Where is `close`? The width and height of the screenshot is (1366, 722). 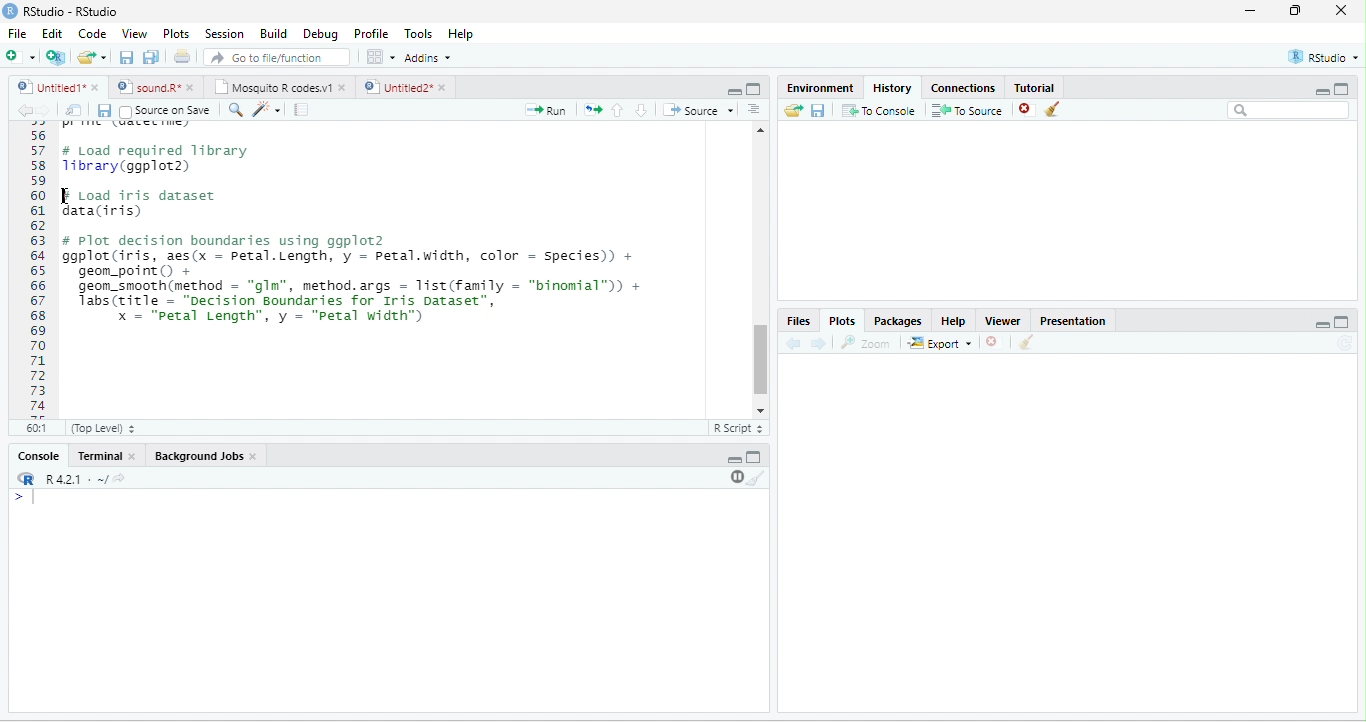
close is located at coordinates (97, 87).